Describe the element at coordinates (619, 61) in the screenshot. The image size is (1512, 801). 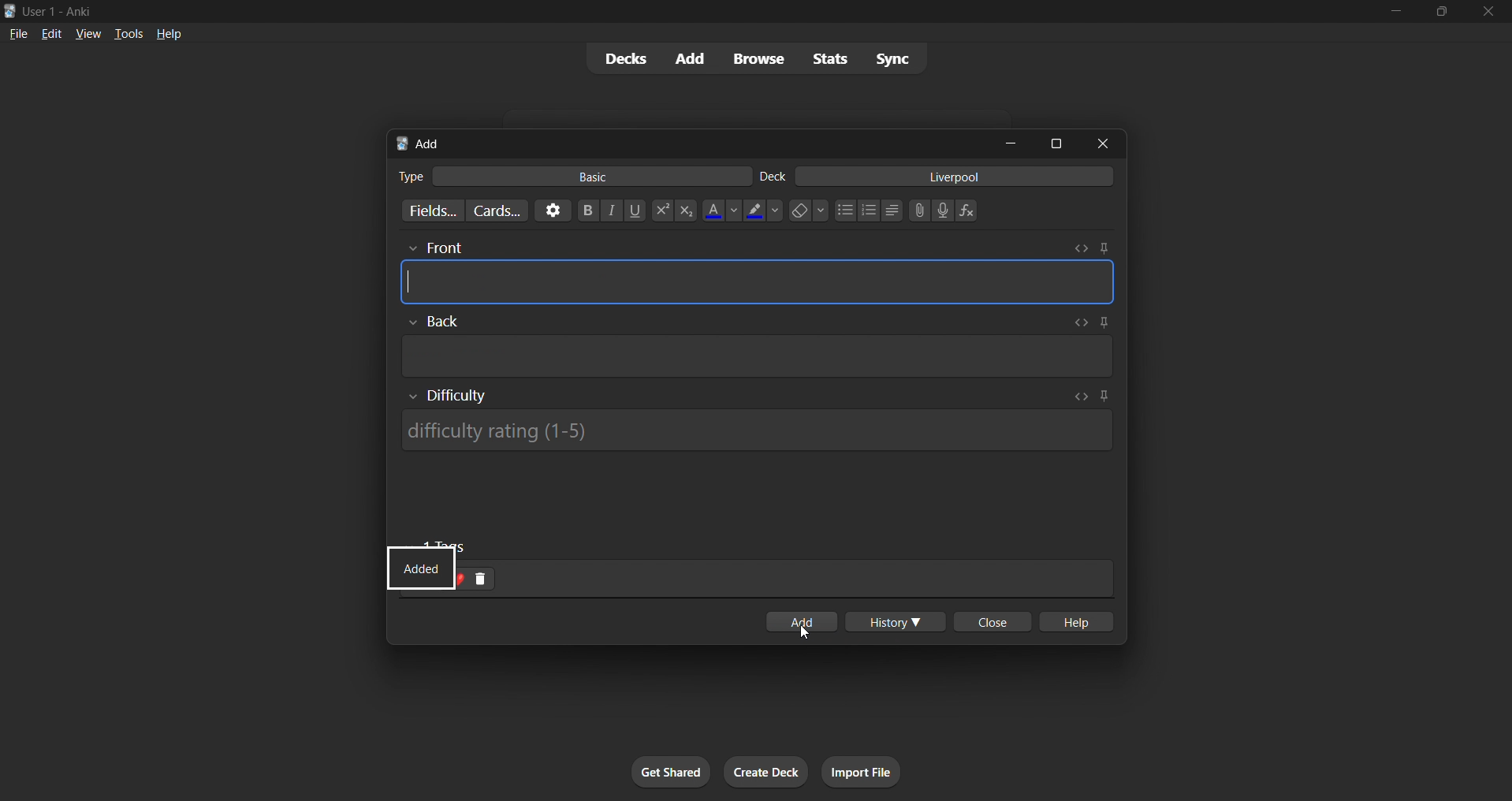
I see `decks` at that location.